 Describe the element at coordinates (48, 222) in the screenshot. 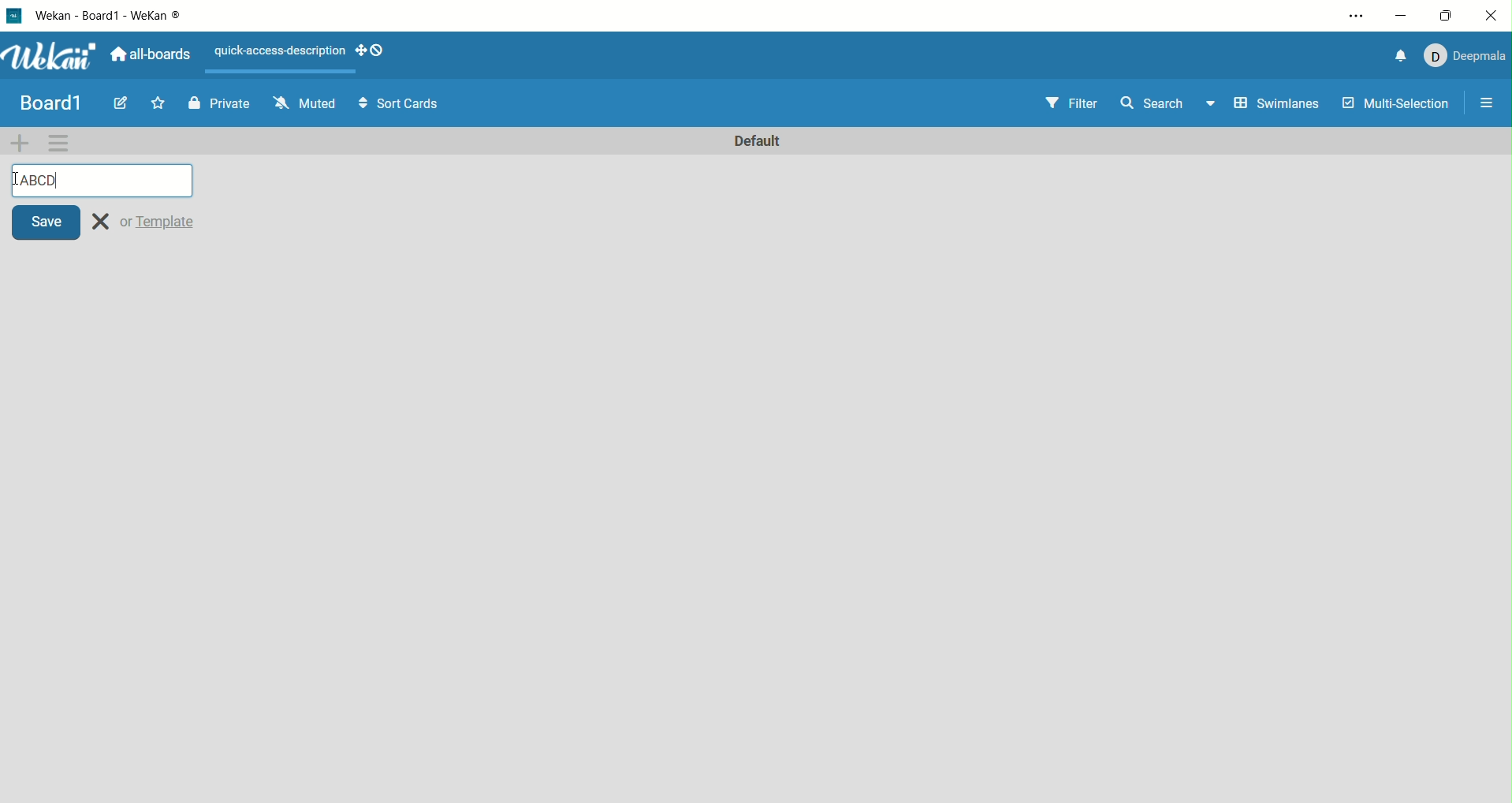

I see `save` at that location.